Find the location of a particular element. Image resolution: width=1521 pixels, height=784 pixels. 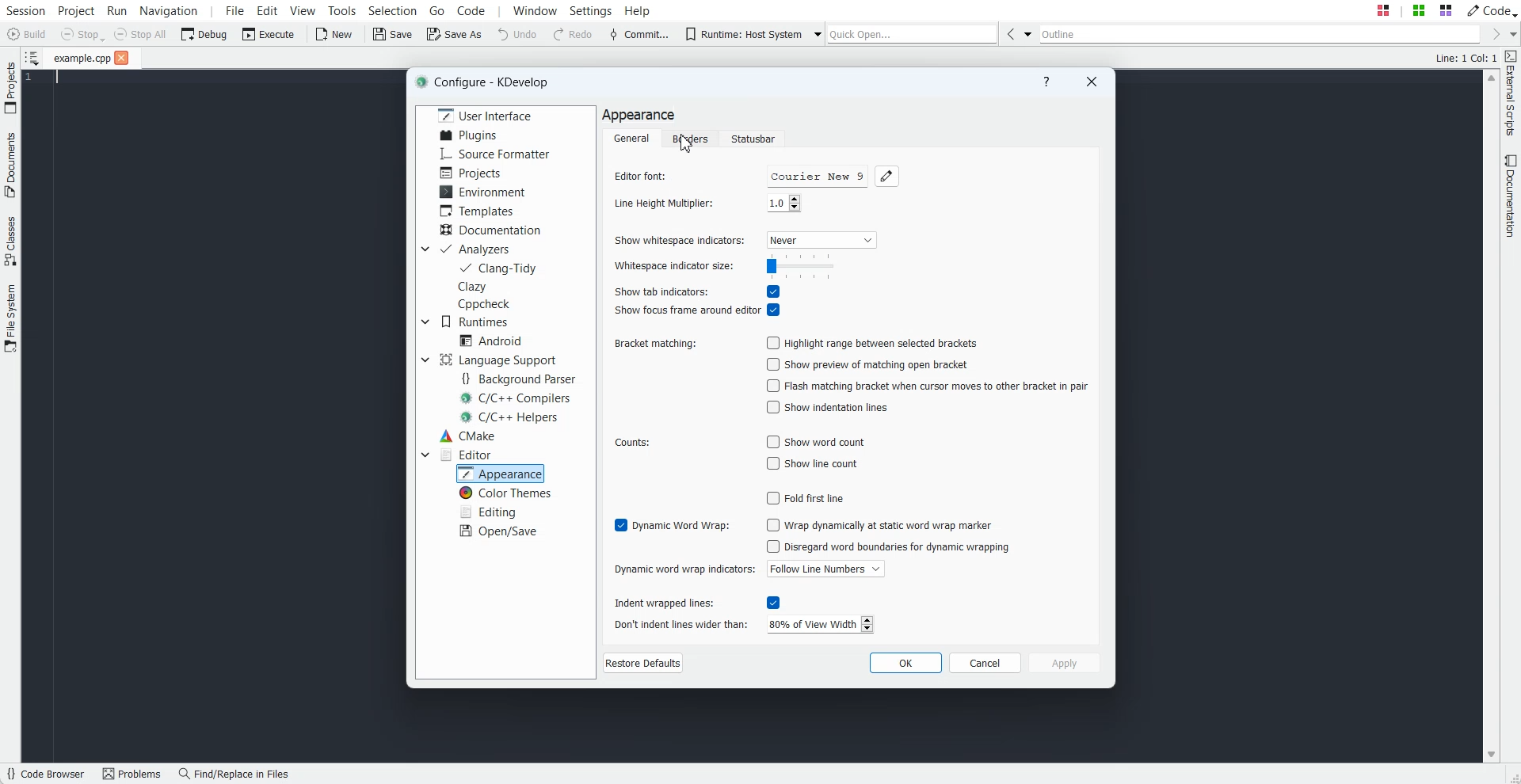

Edit is located at coordinates (267, 10).